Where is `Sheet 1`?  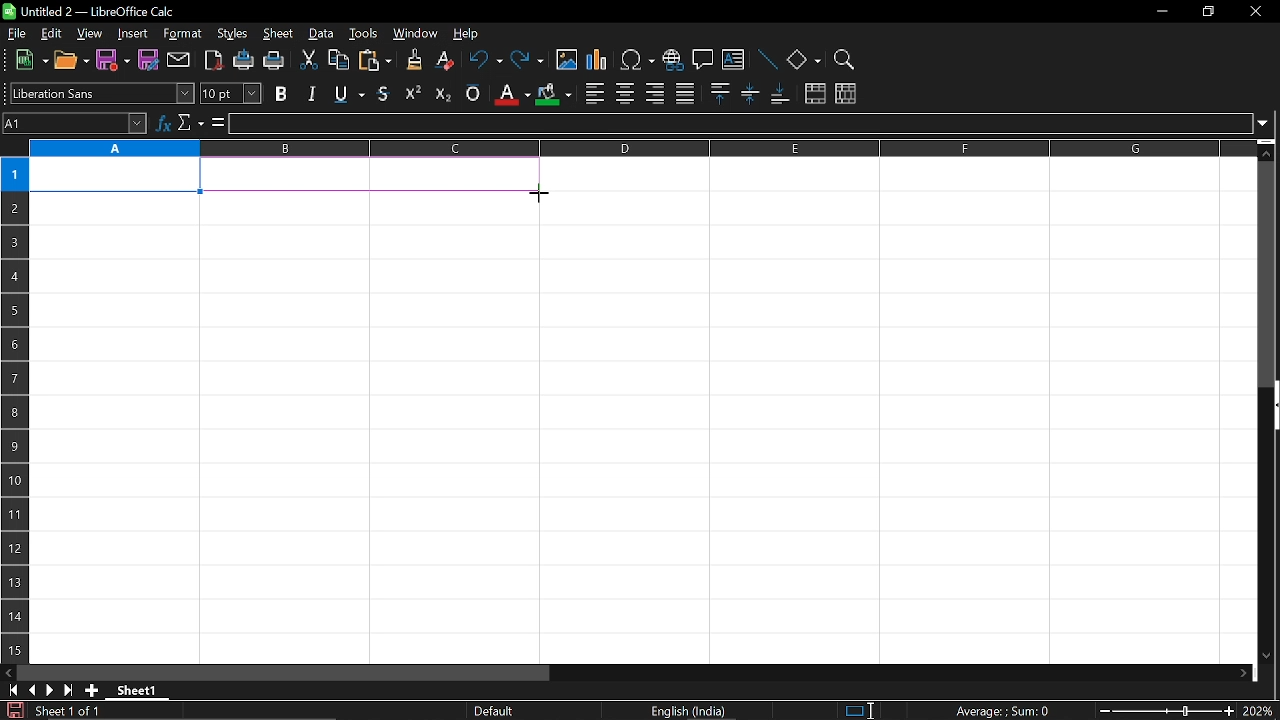
Sheet 1 is located at coordinates (137, 690).